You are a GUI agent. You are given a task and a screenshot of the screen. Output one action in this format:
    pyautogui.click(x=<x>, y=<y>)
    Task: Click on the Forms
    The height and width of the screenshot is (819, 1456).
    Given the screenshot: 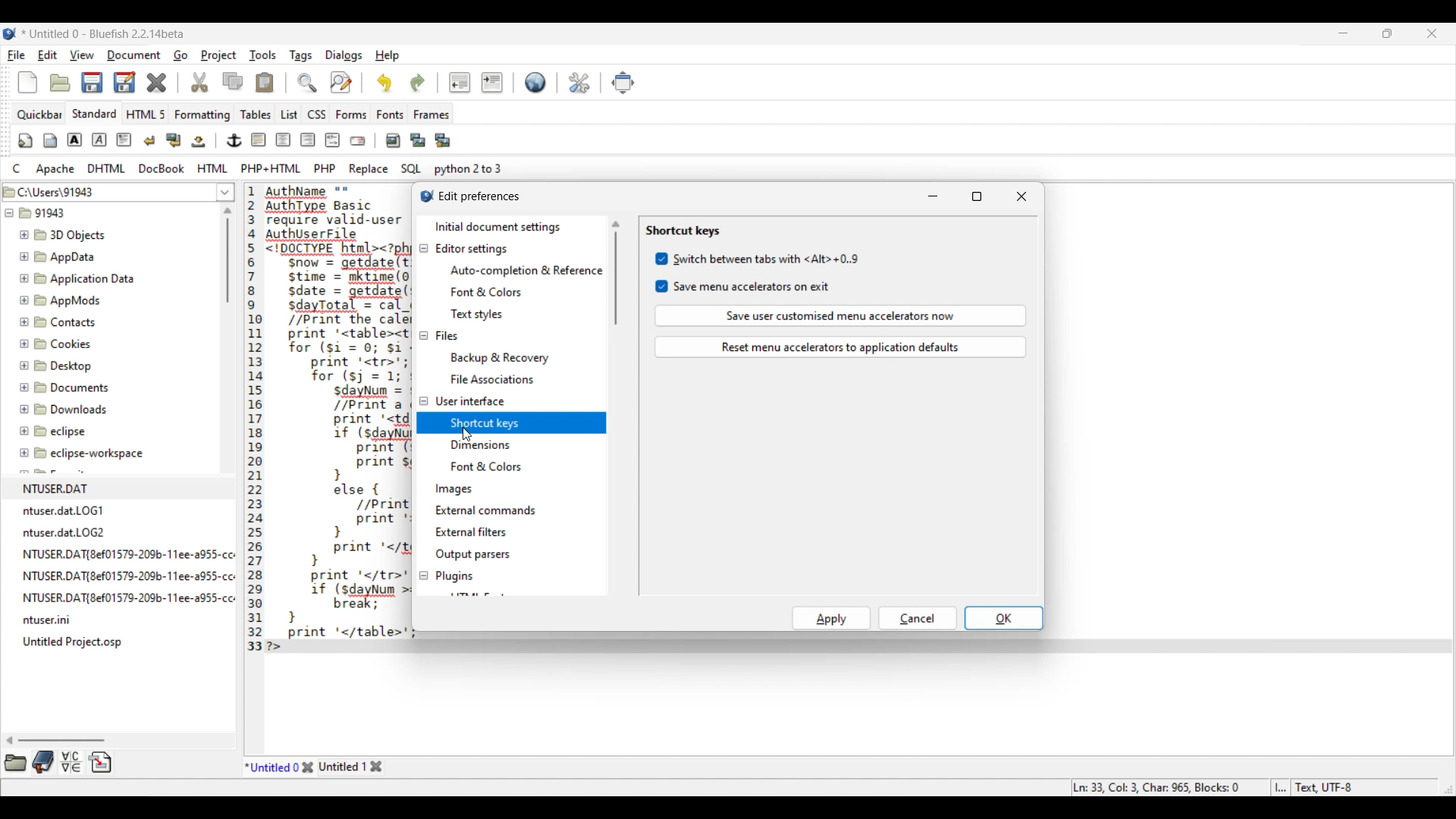 What is the action you would take?
    pyautogui.click(x=351, y=115)
    